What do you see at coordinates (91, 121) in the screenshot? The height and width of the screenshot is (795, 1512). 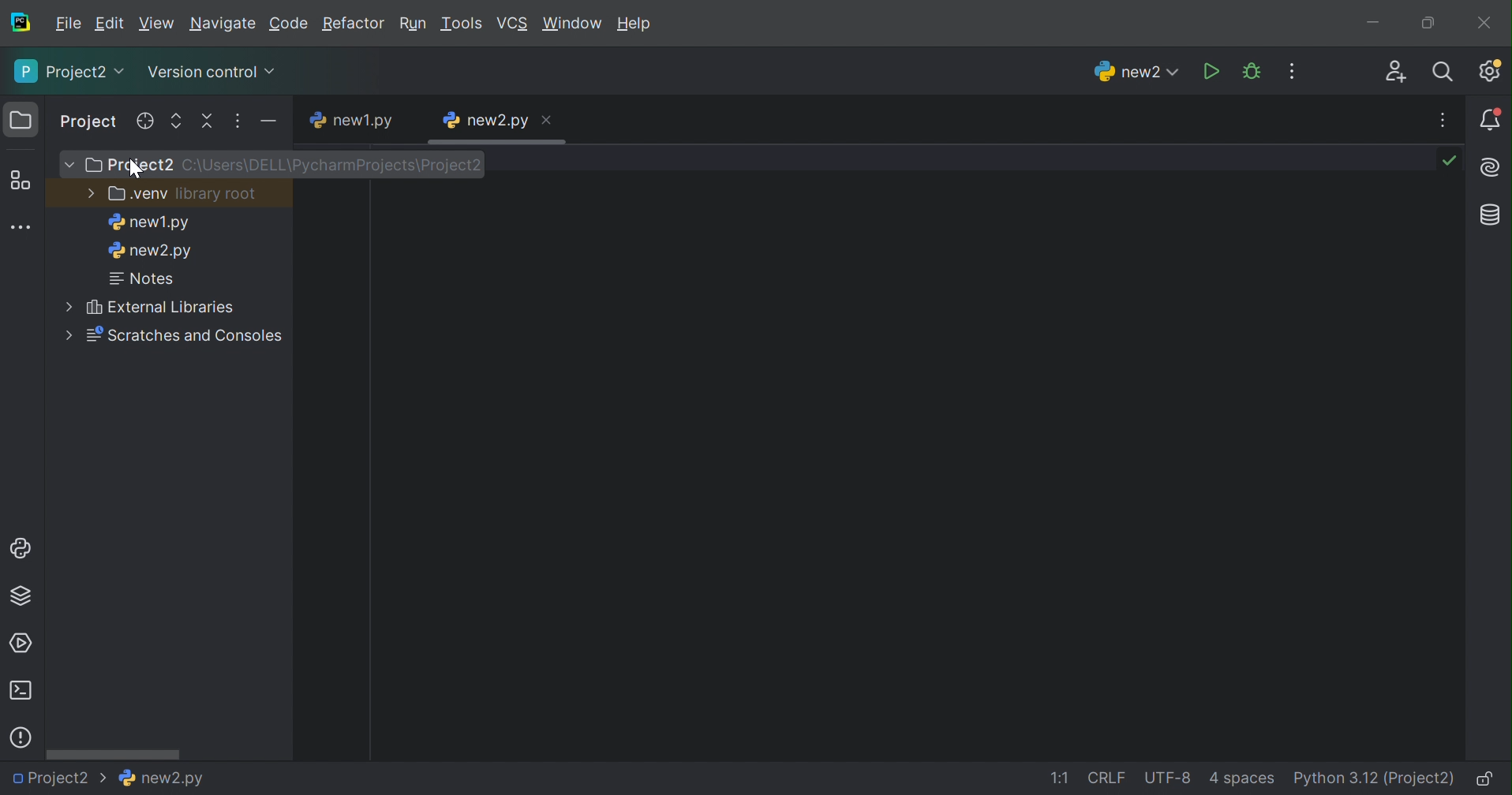 I see `Project` at bounding box center [91, 121].